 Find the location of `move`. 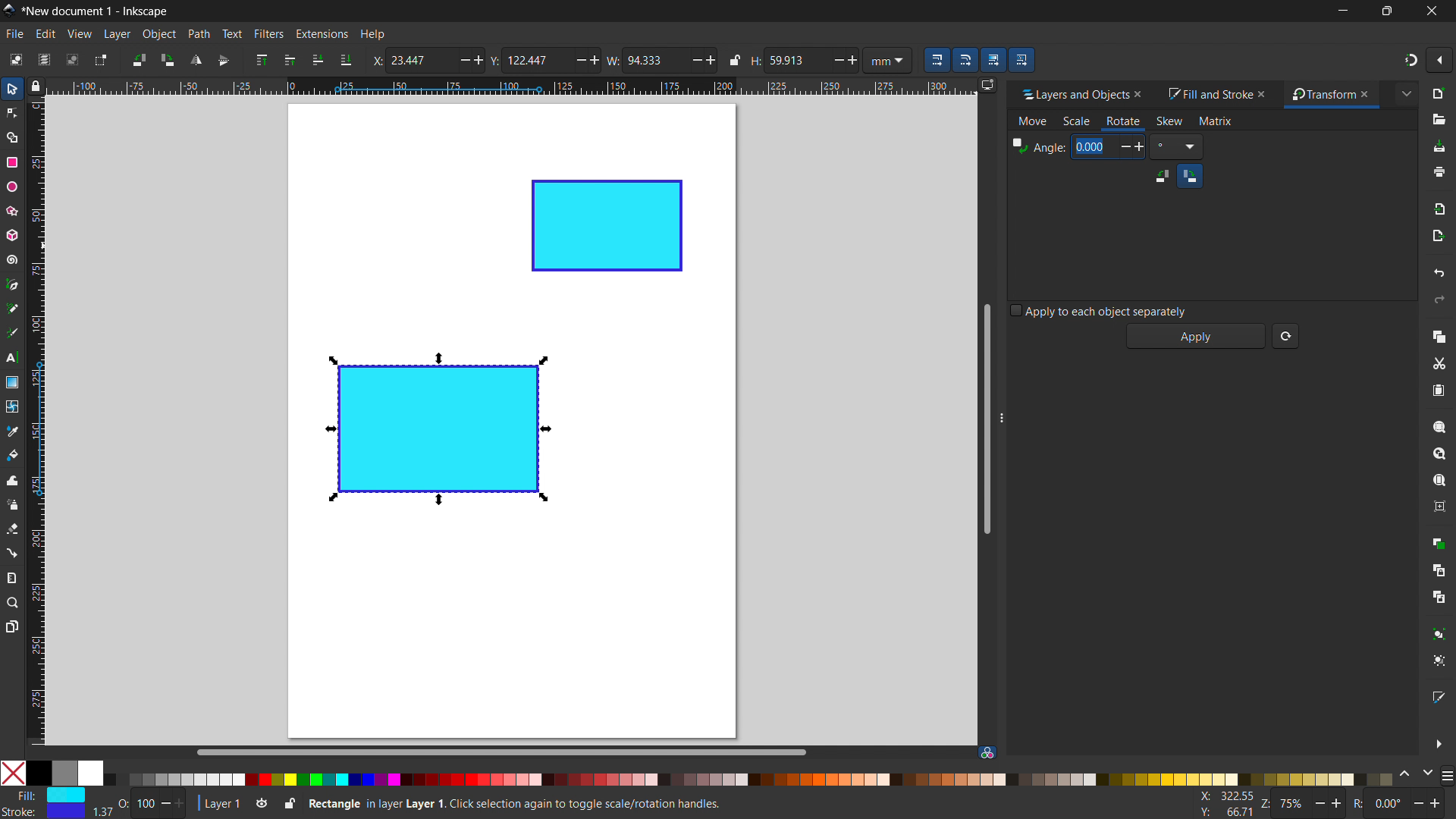

move is located at coordinates (1033, 122).